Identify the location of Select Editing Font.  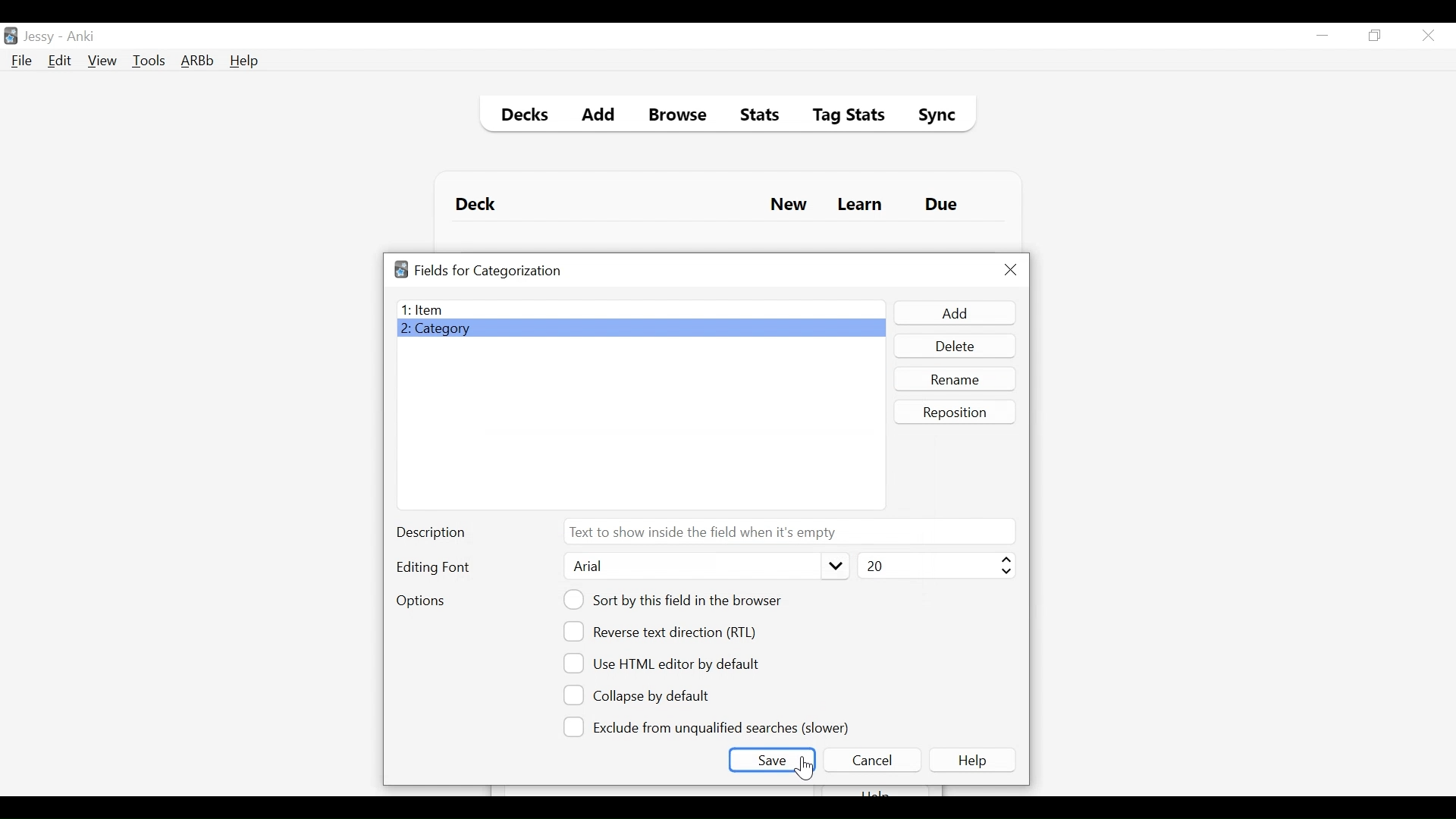
(704, 566).